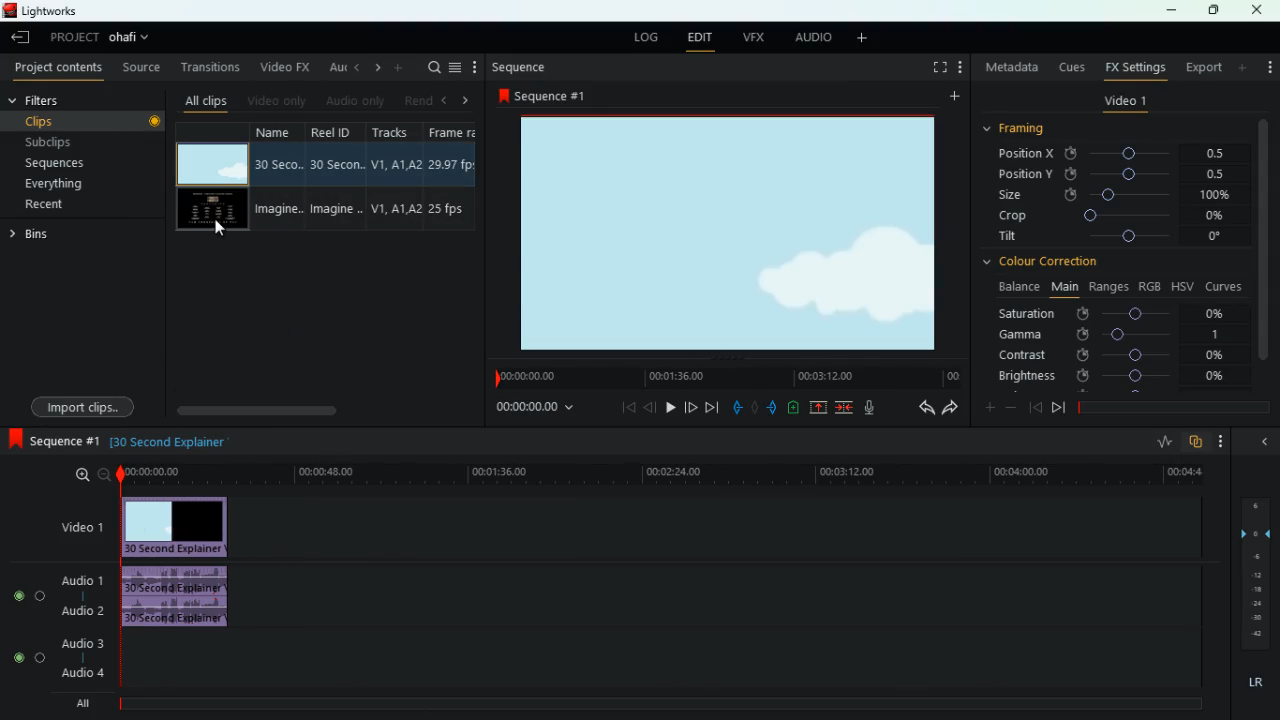 This screenshot has width=1280, height=720. What do you see at coordinates (1026, 129) in the screenshot?
I see `framing` at bounding box center [1026, 129].